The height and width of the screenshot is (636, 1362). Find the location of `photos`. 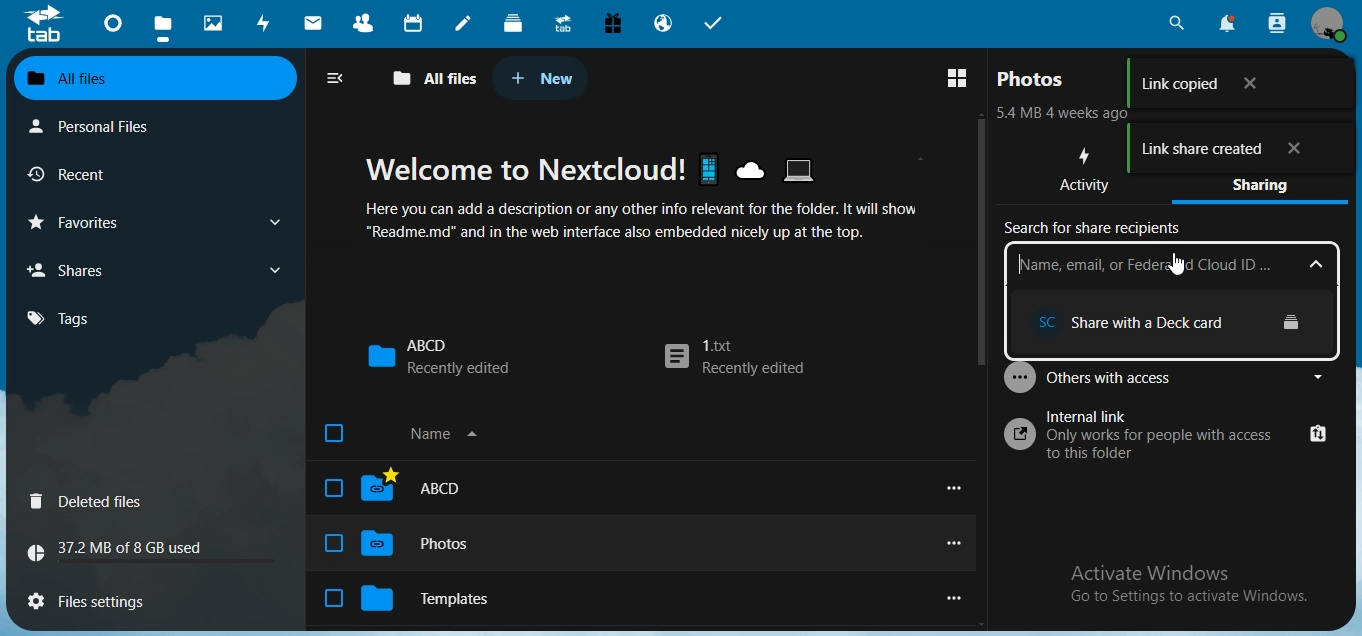

photos is located at coordinates (216, 24).